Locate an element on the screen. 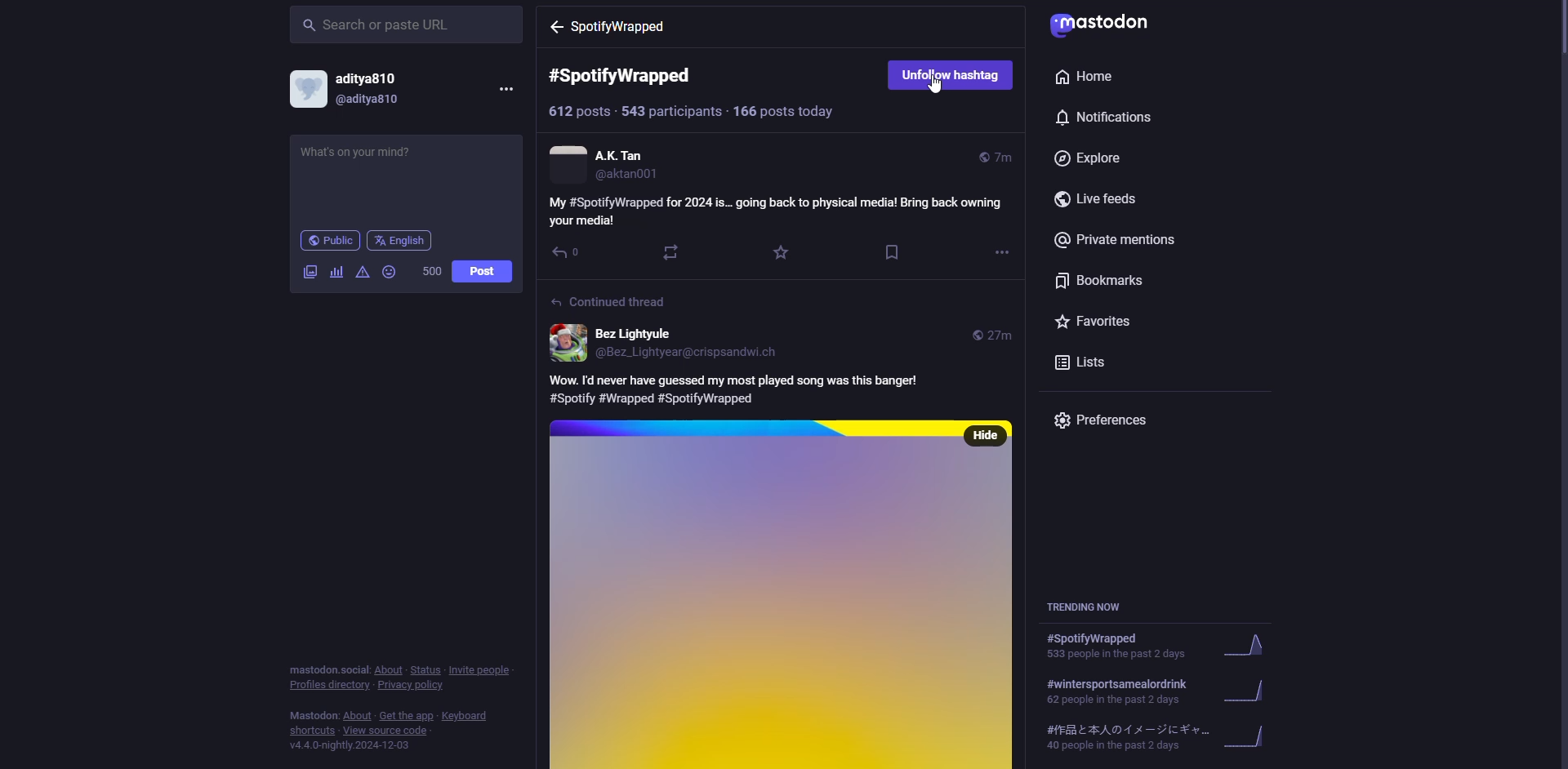  account is located at coordinates (608, 166).